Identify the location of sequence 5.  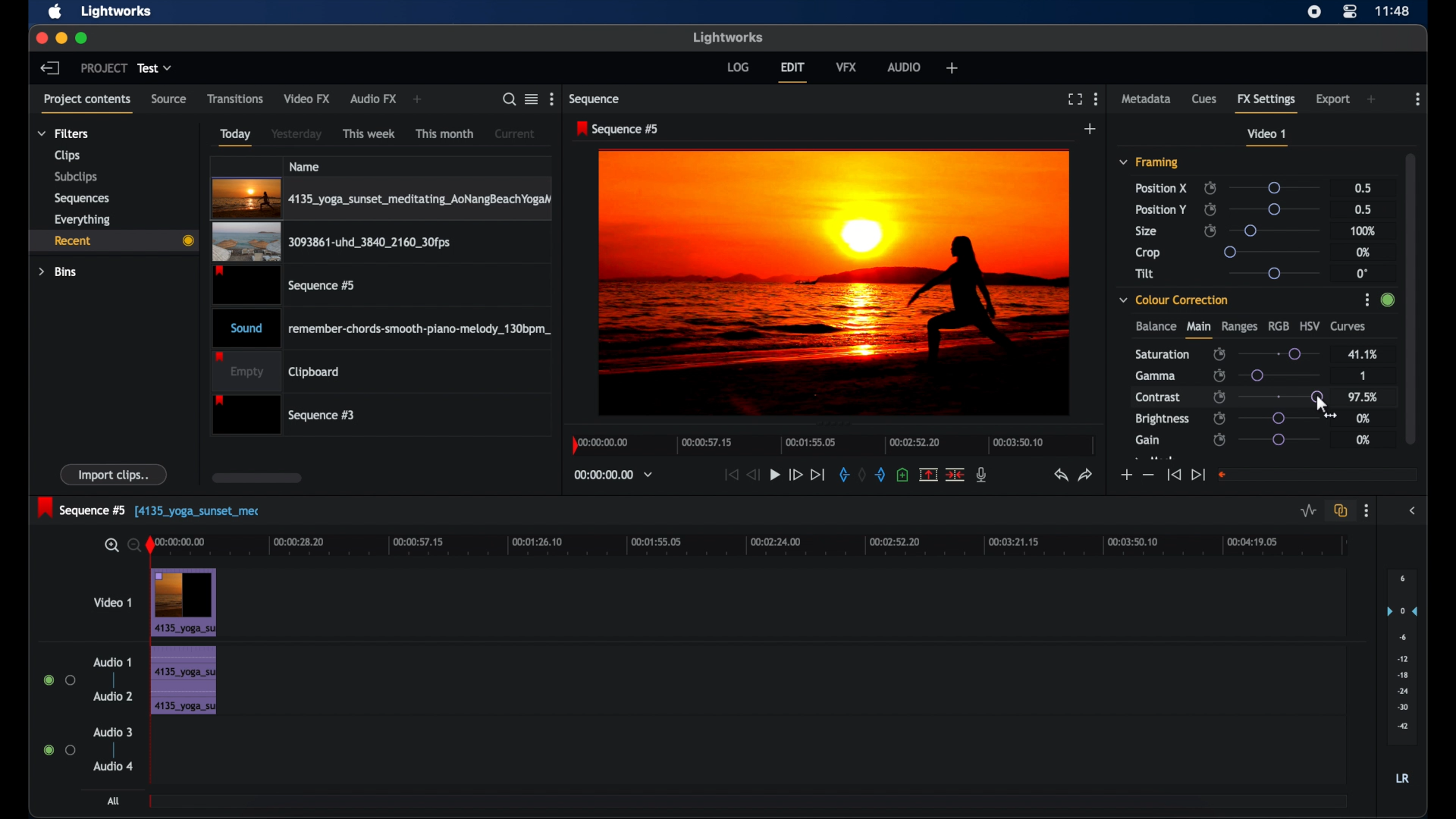
(618, 130).